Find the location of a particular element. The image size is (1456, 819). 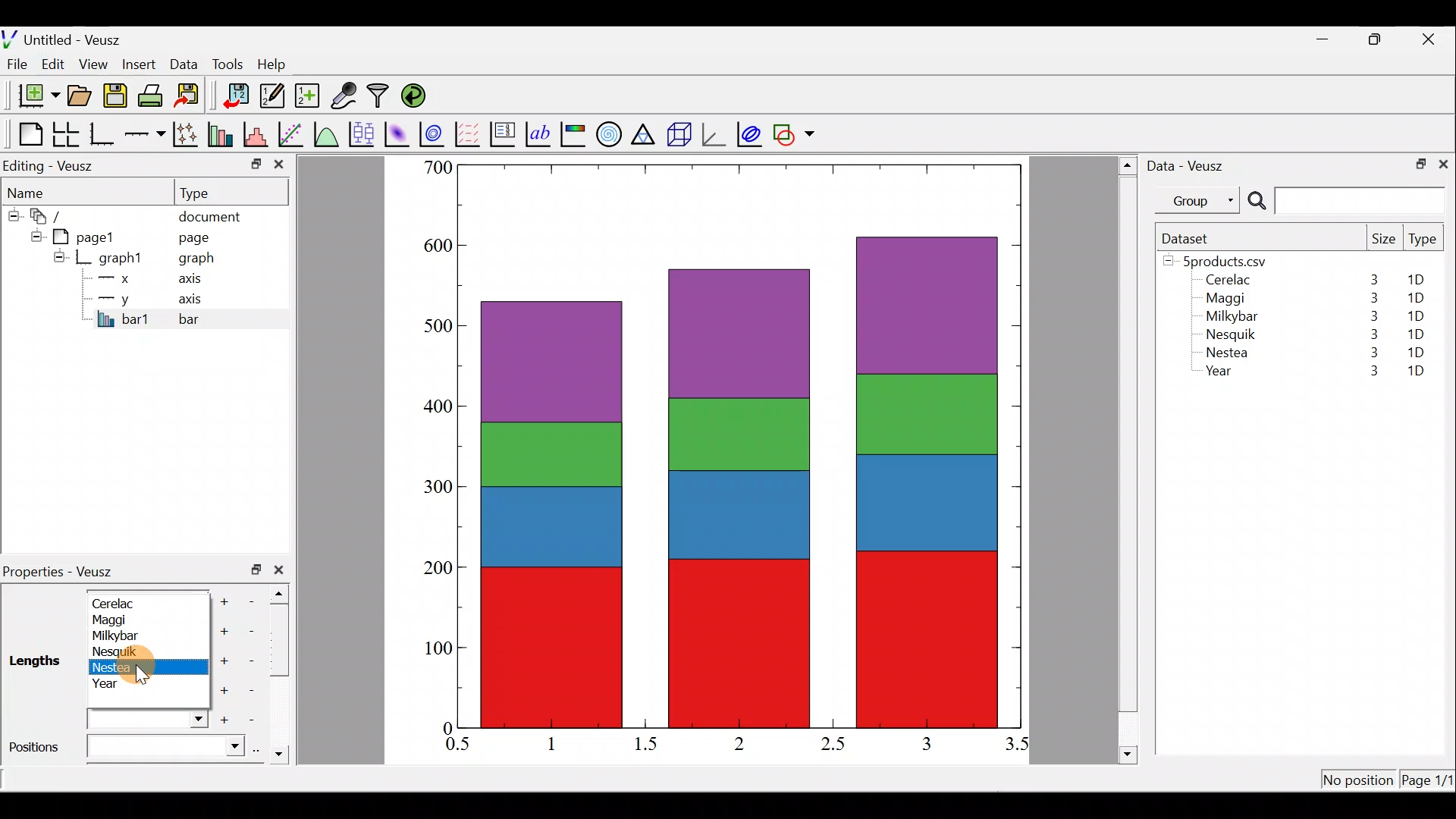

Page 1/11 is located at coordinates (1429, 783).